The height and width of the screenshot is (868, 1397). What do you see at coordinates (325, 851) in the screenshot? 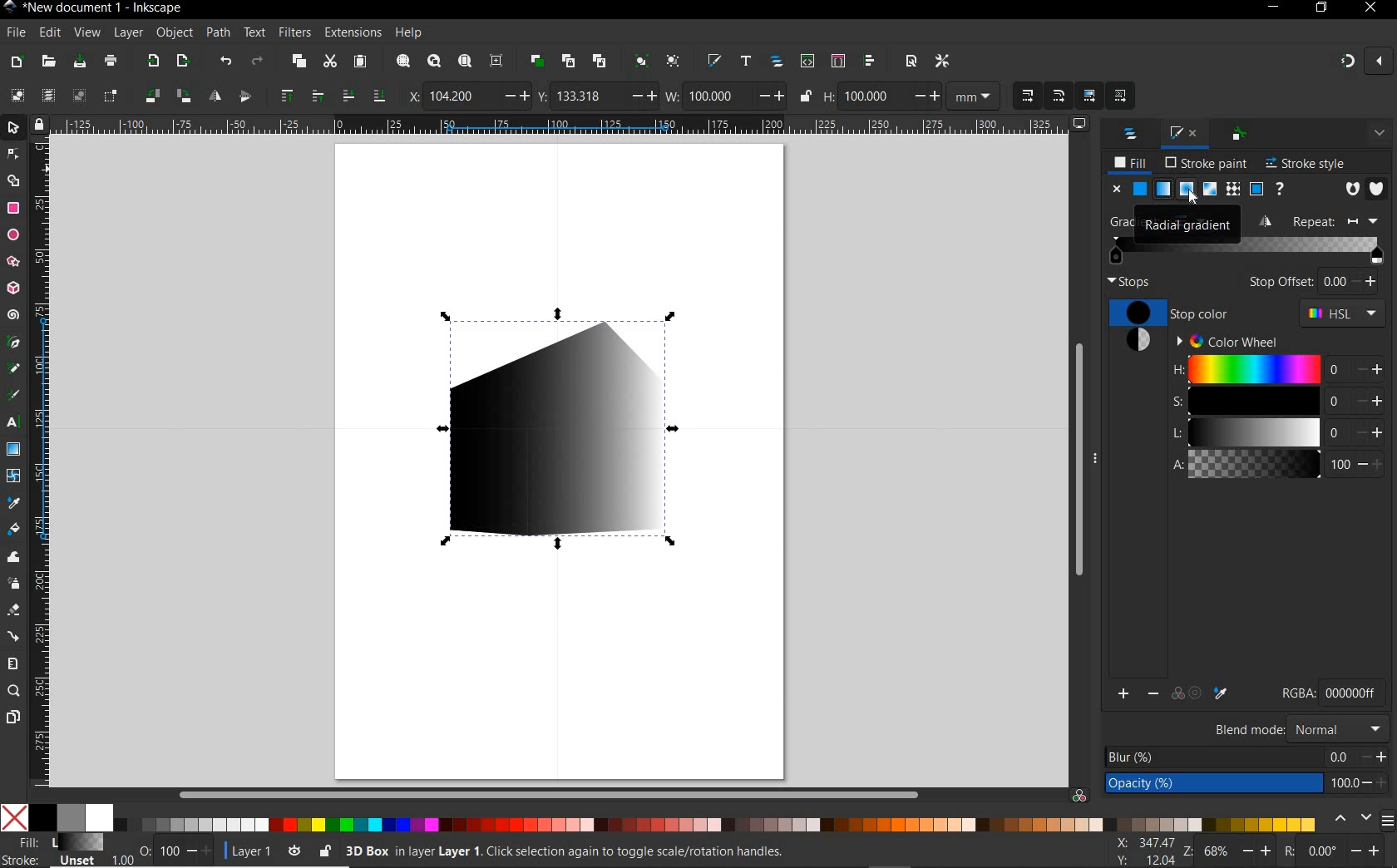
I see `LOCK/UNLOCK` at bounding box center [325, 851].